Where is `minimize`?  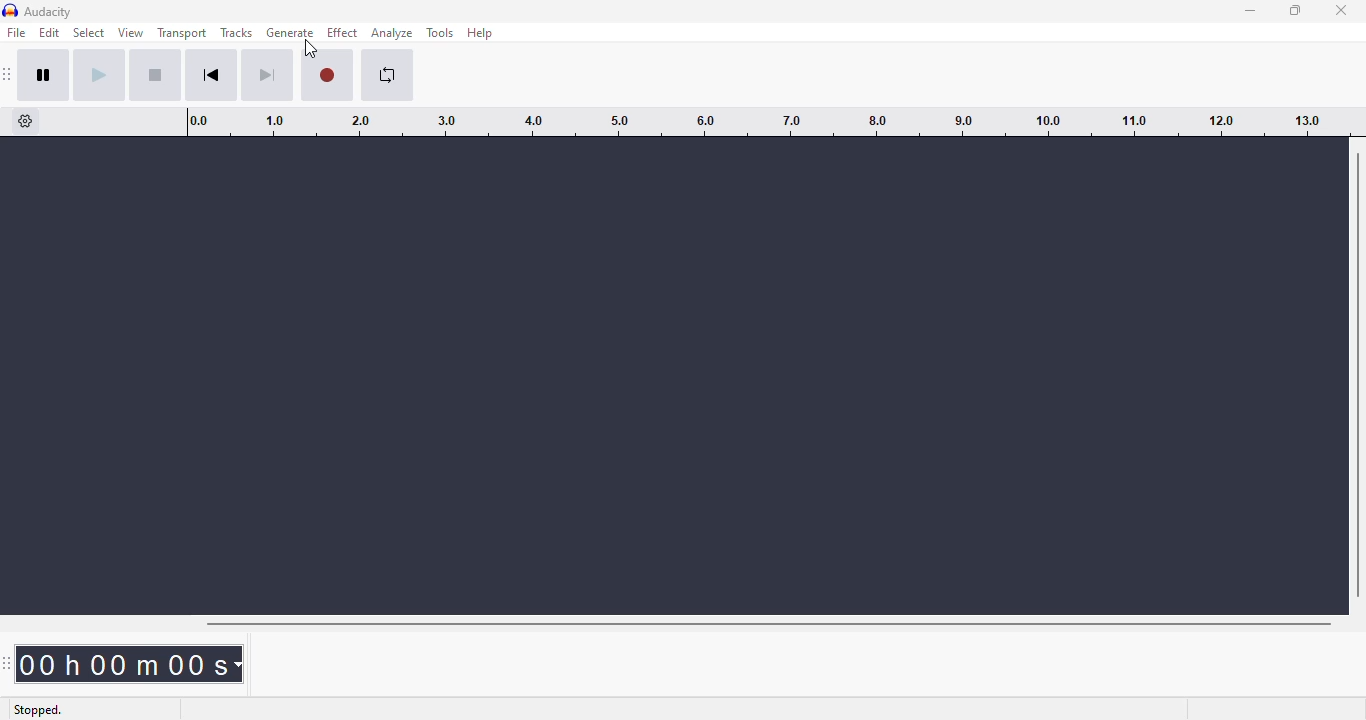
minimize is located at coordinates (1252, 11).